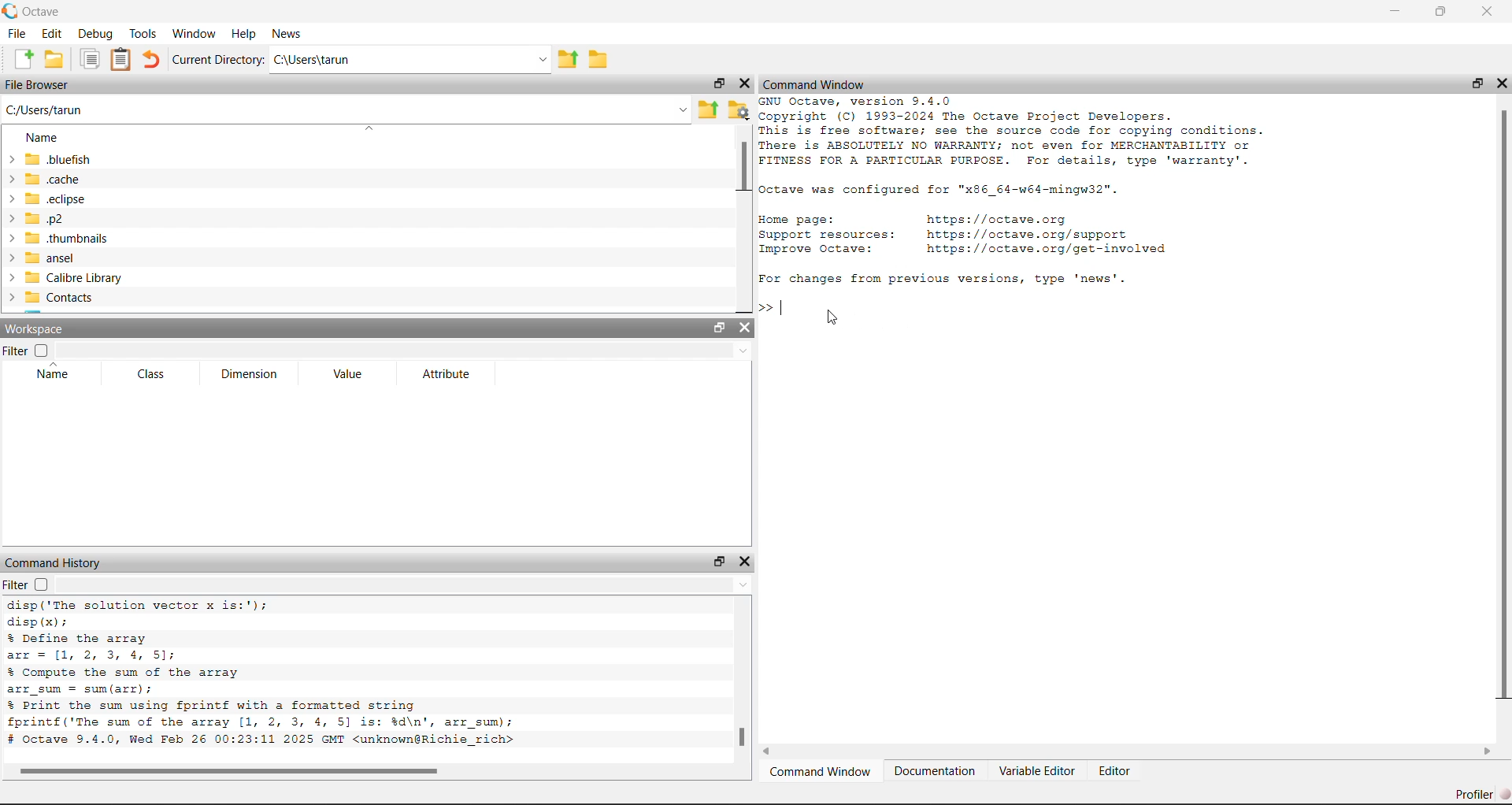 The width and height of the screenshot is (1512, 805). What do you see at coordinates (54, 60) in the screenshot?
I see `open an existing file in directory` at bounding box center [54, 60].